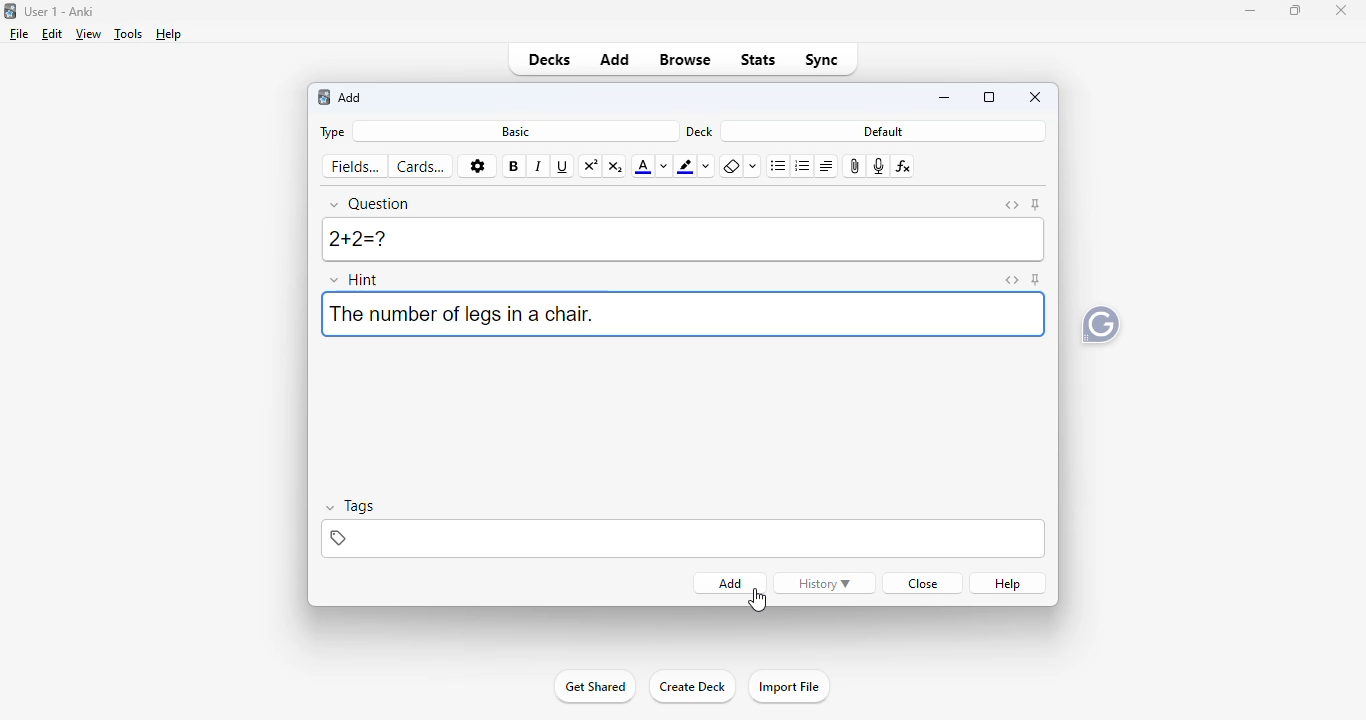  What do you see at coordinates (686, 316) in the screenshot?
I see `hint` at bounding box center [686, 316].